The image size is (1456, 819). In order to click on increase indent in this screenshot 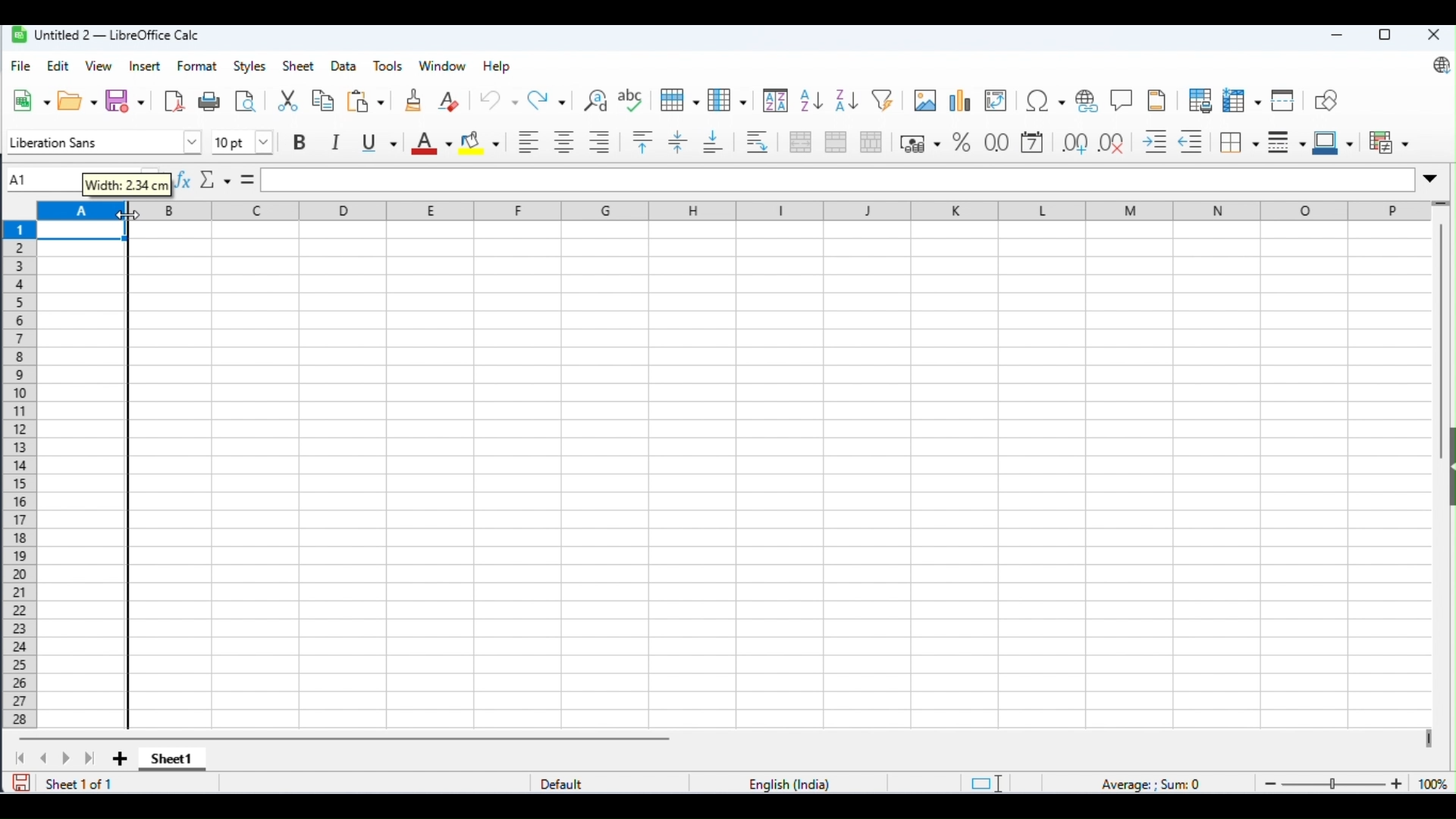, I will do `click(1156, 142)`.